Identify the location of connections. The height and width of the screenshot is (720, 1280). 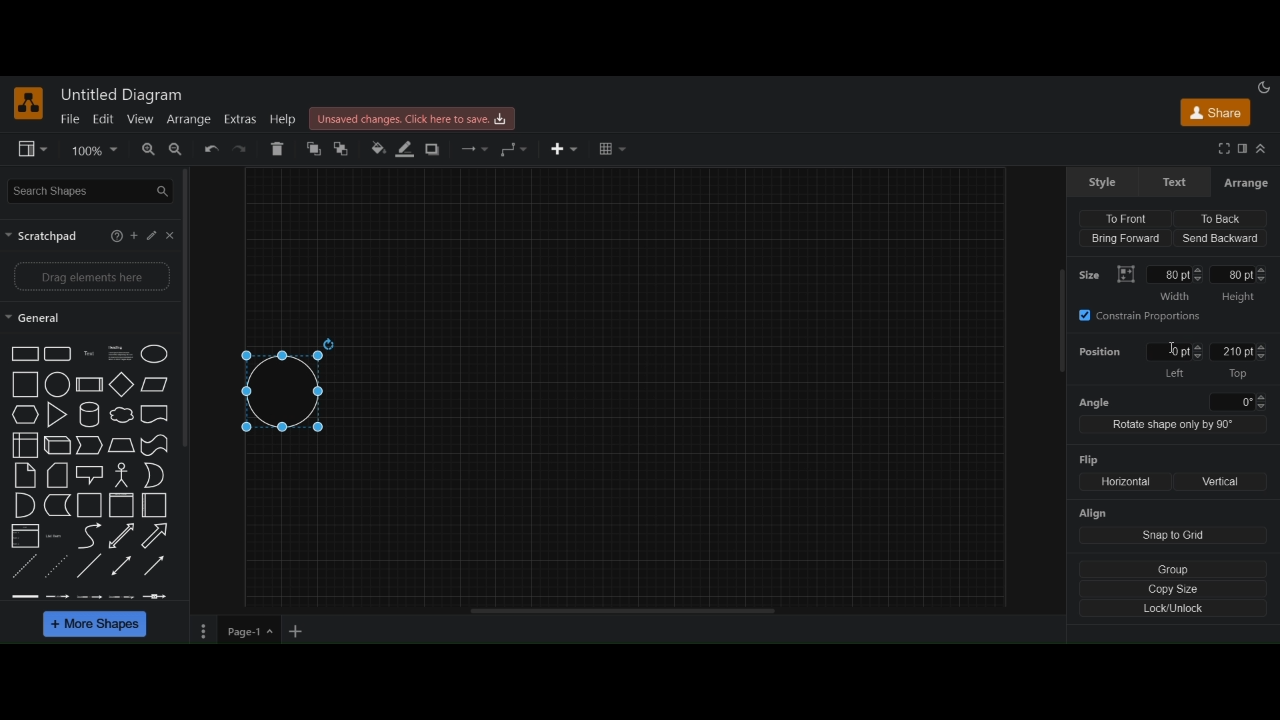
(473, 149).